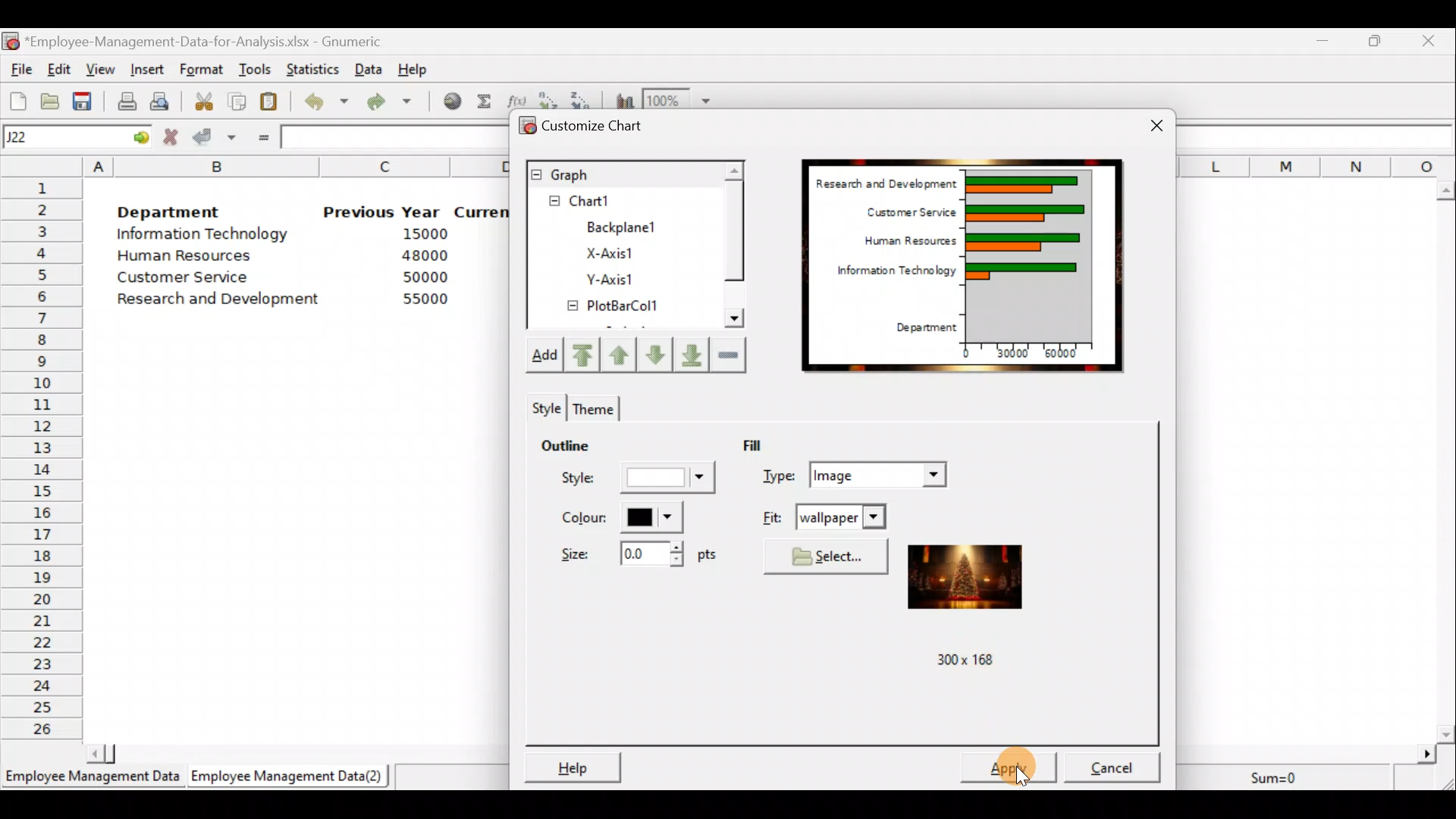  What do you see at coordinates (613, 308) in the screenshot?
I see `PlotBarCol1` at bounding box center [613, 308].